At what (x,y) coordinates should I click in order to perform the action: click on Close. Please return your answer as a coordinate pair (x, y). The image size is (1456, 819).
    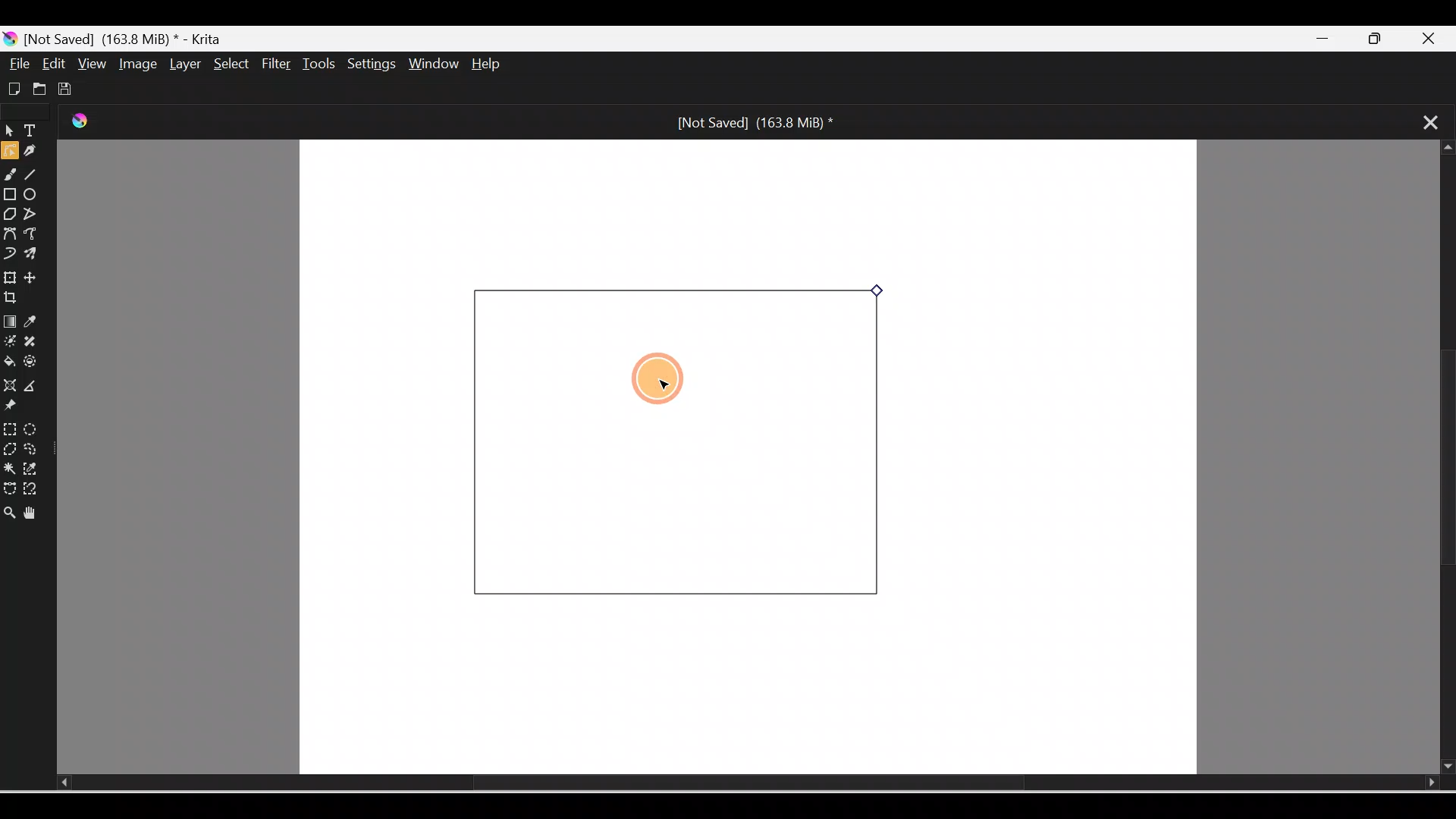
    Looking at the image, I should click on (1436, 36).